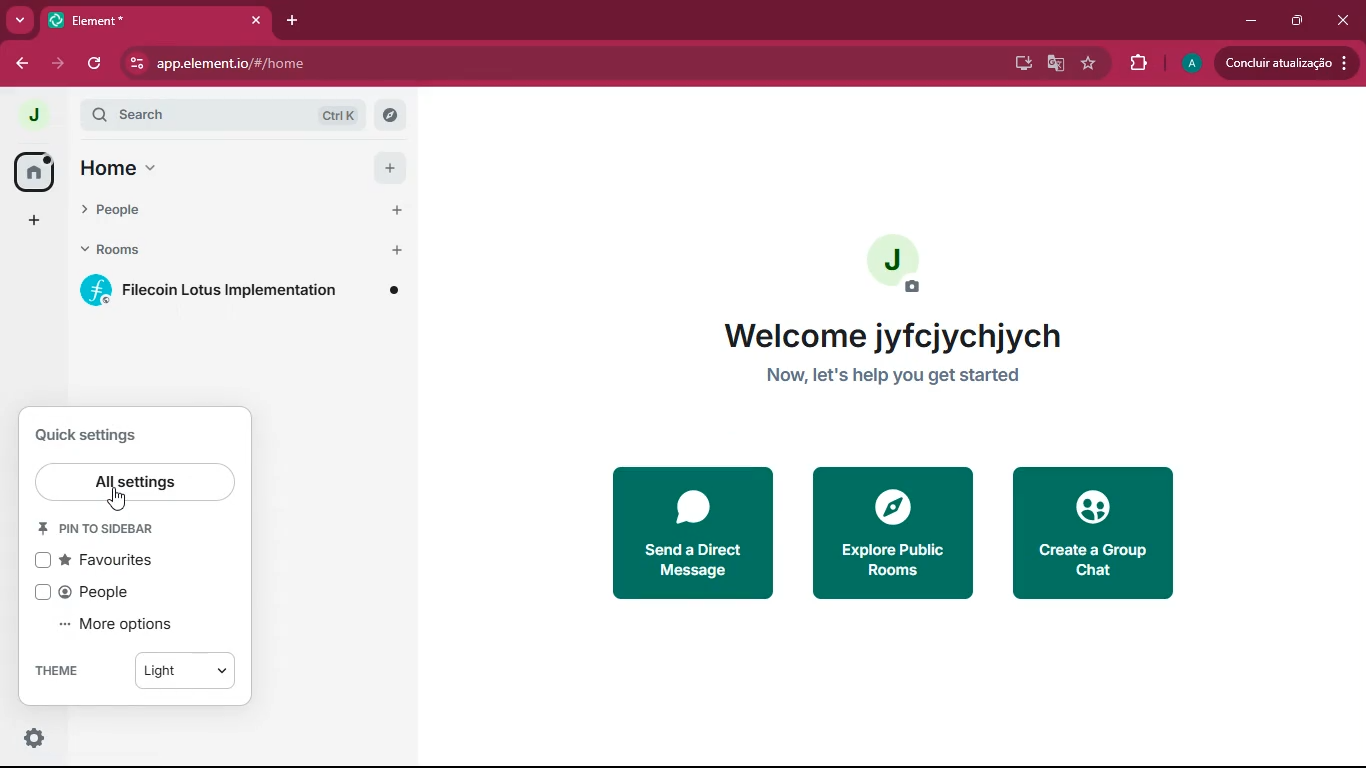 The width and height of the screenshot is (1366, 768). What do you see at coordinates (19, 20) in the screenshot?
I see `more` at bounding box center [19, 20].